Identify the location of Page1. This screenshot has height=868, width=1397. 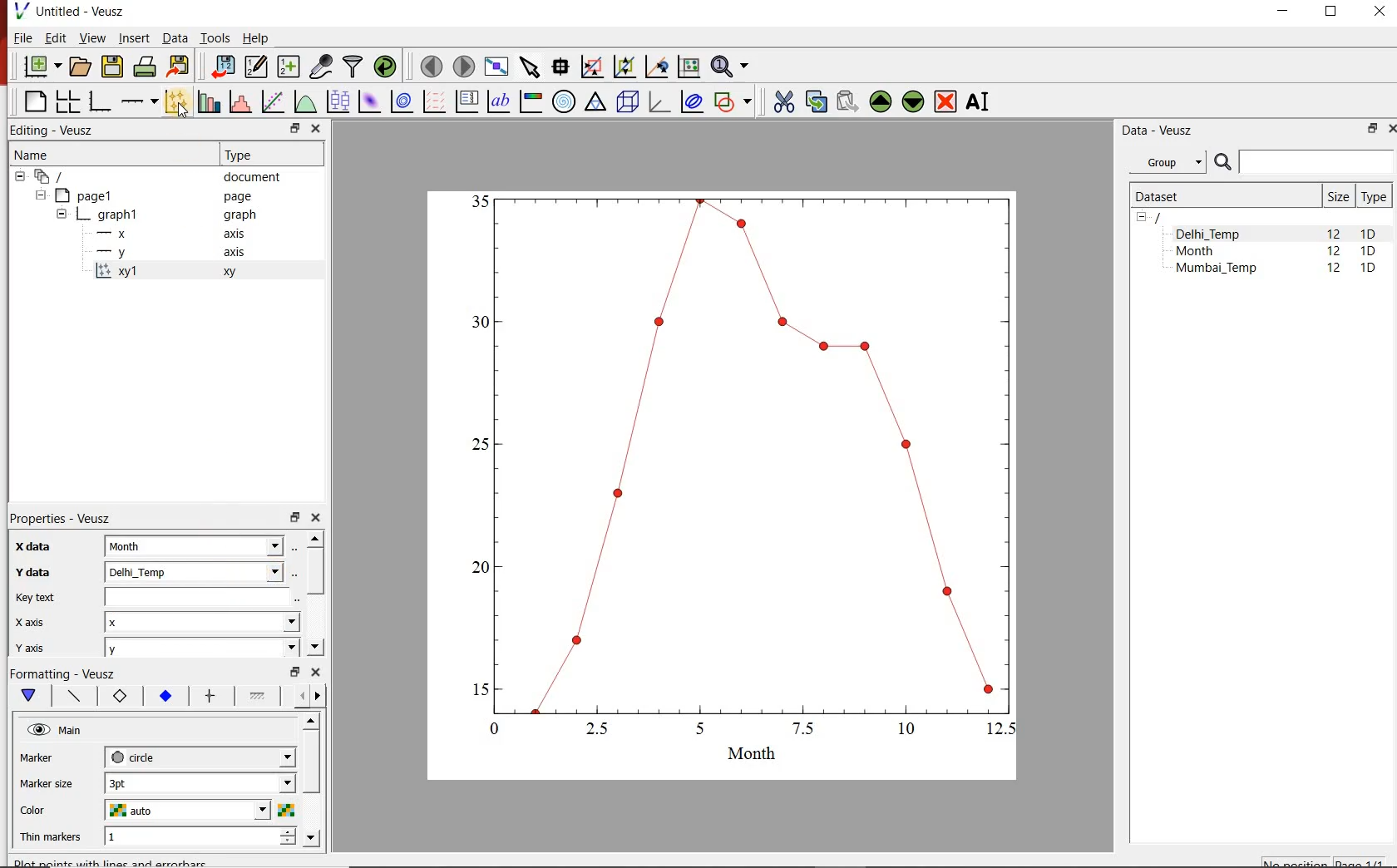
(145, 195).